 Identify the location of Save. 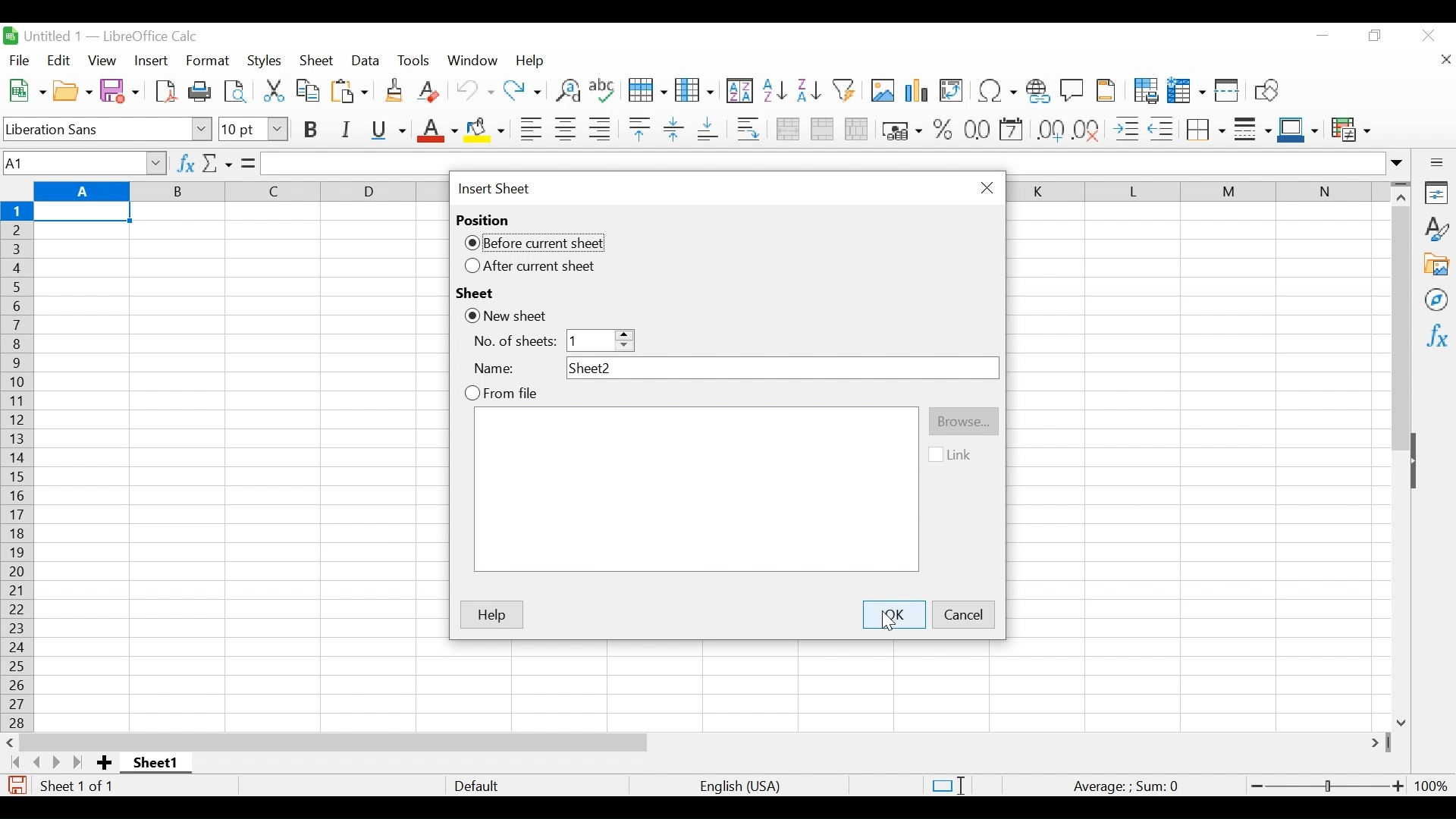
(119, 89).